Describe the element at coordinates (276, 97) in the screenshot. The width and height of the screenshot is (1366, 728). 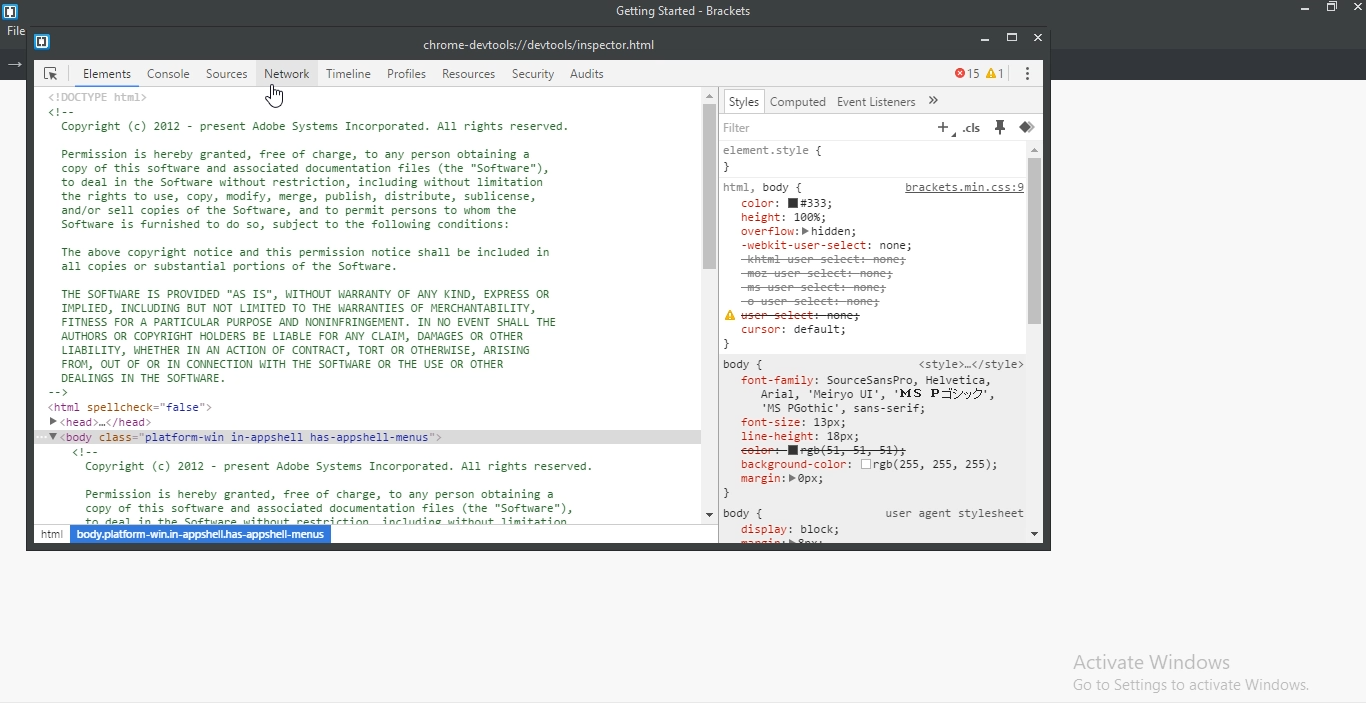
I see `cursor` at that location.